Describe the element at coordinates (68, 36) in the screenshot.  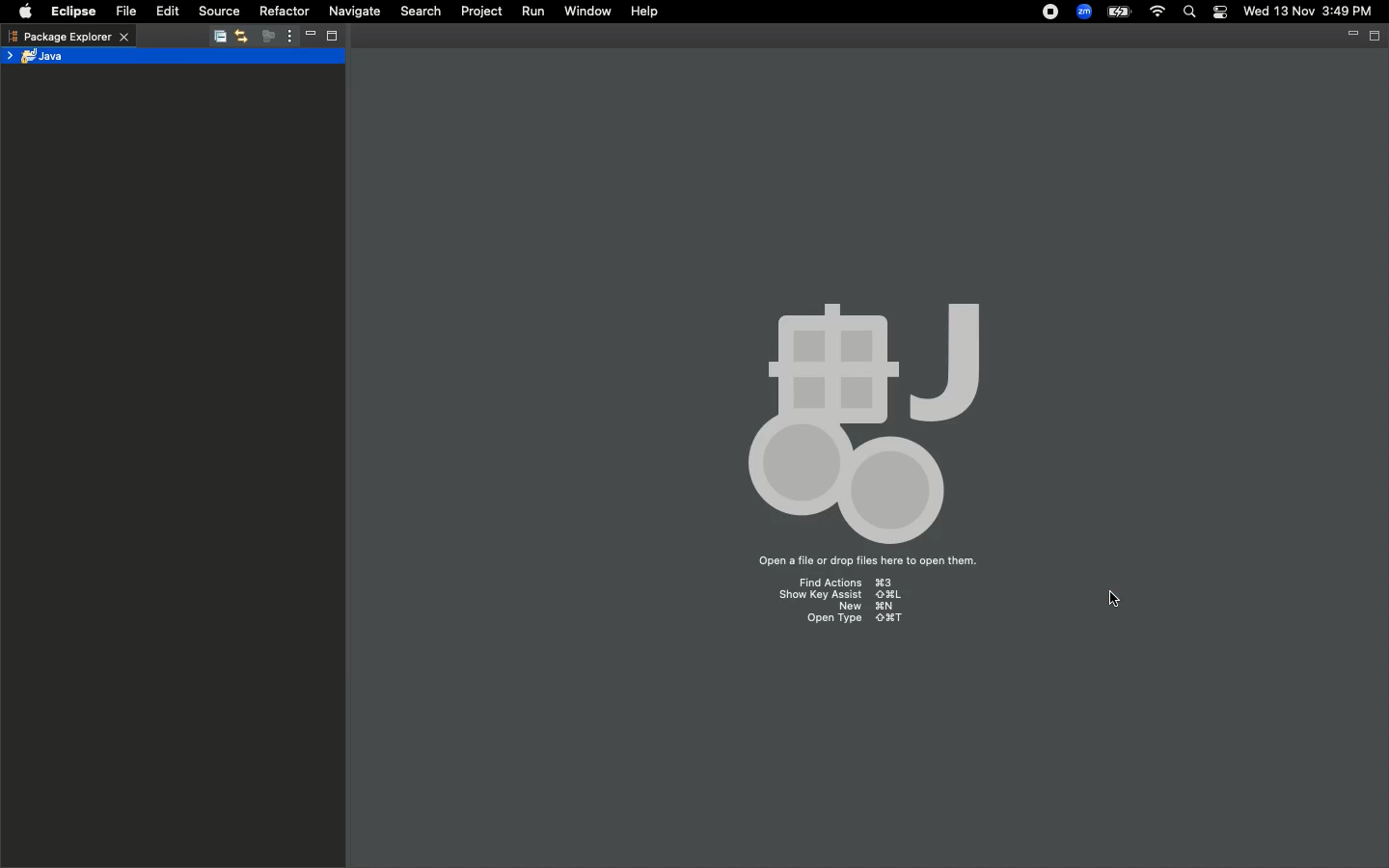
I see `Package explorer` at that location.